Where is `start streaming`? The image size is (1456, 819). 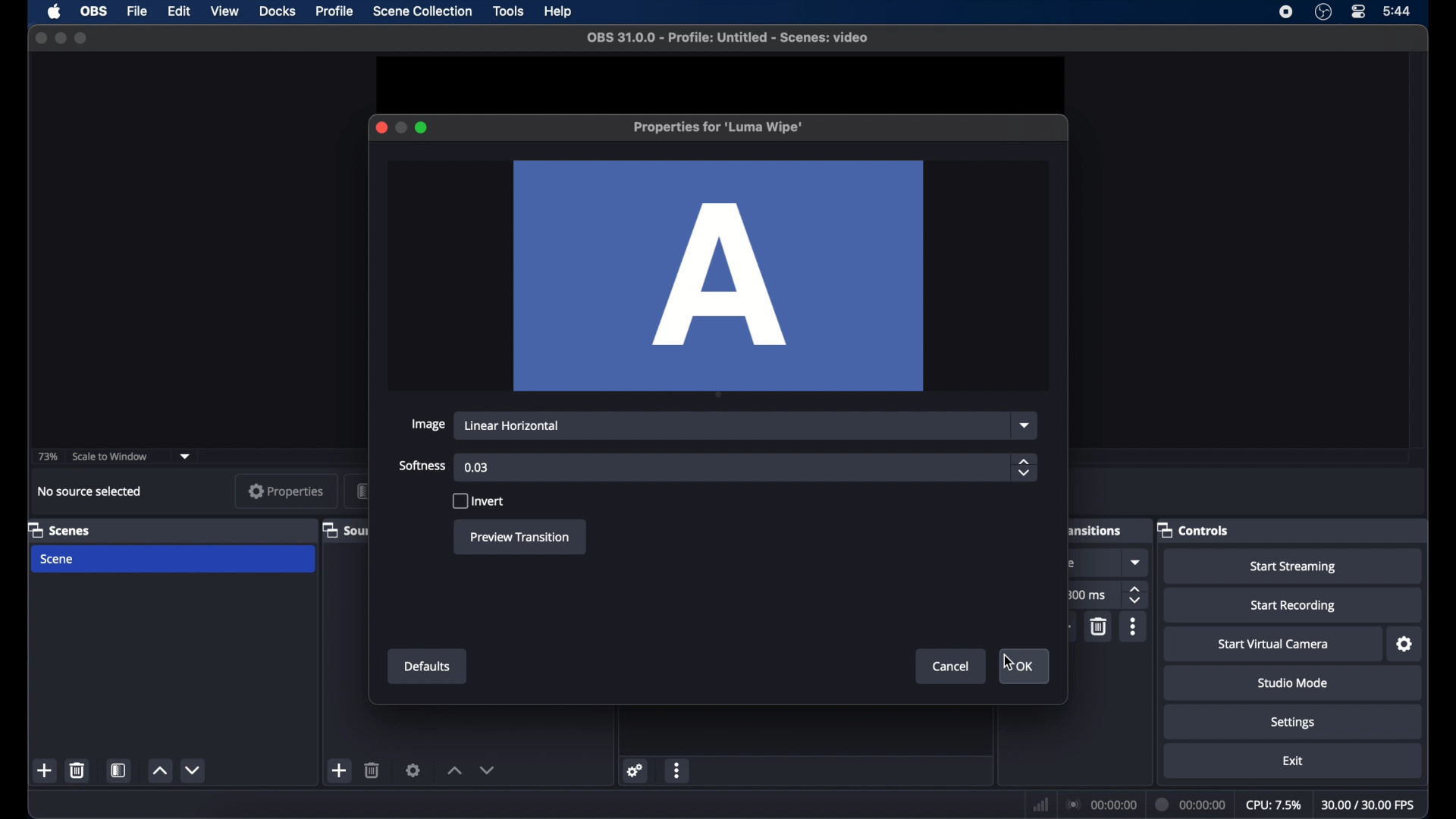 start streaming is located at coordinates (1294, 566).